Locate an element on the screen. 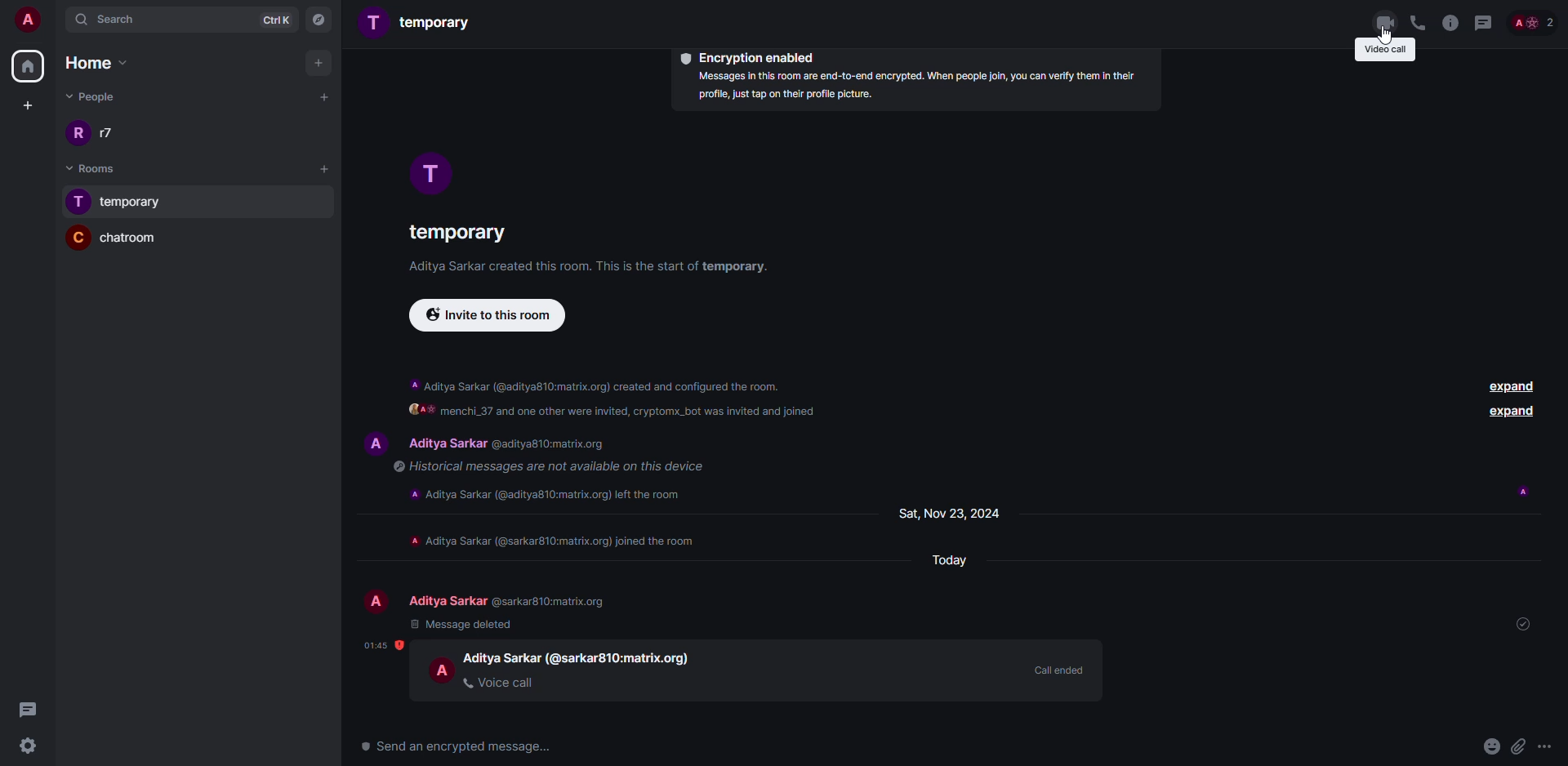 The image size is (1568, 766). message deleted is located at coordinates (462, 625).